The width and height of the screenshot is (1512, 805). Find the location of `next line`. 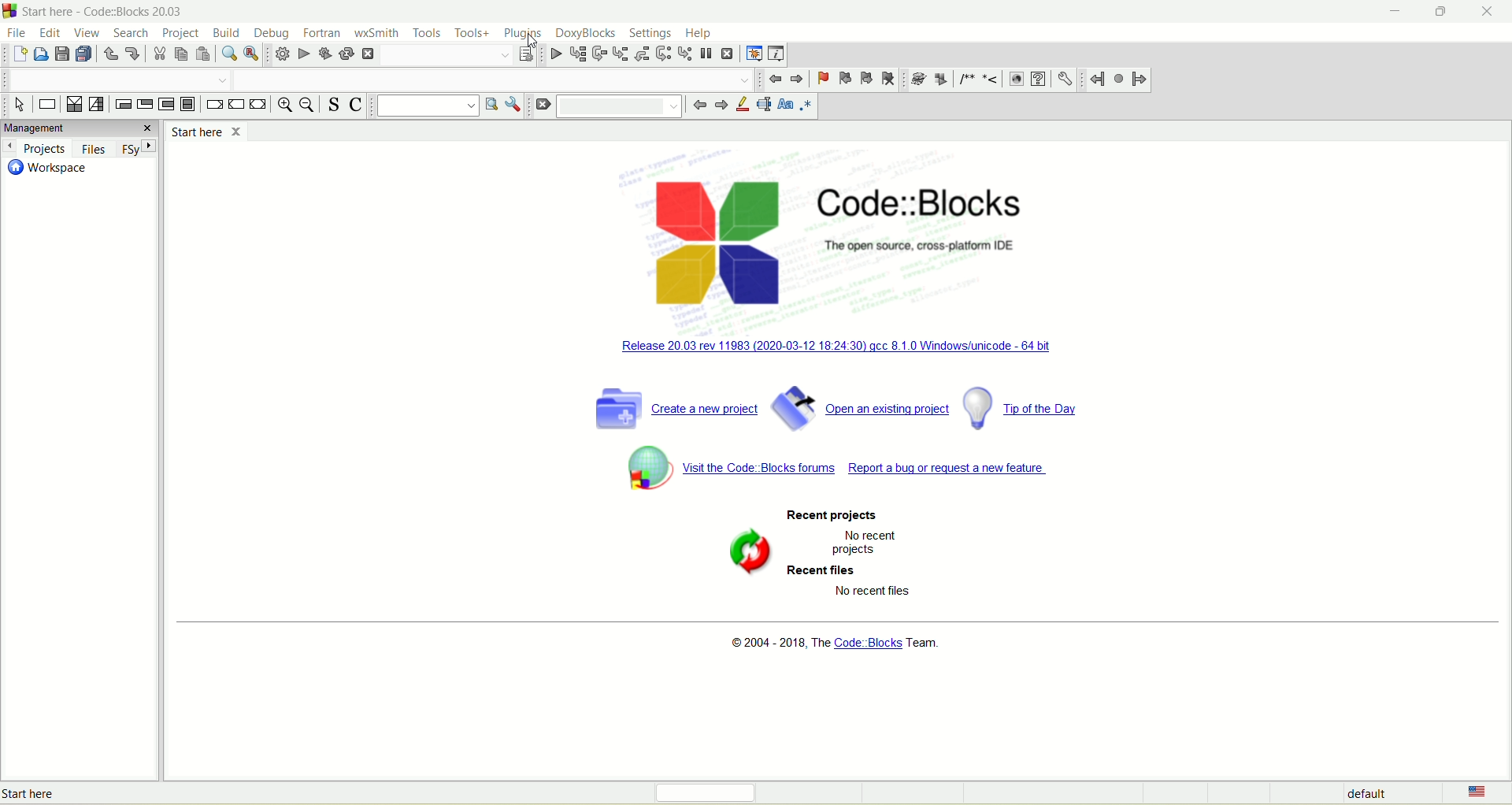

next line is located at coordinates (598, 54).